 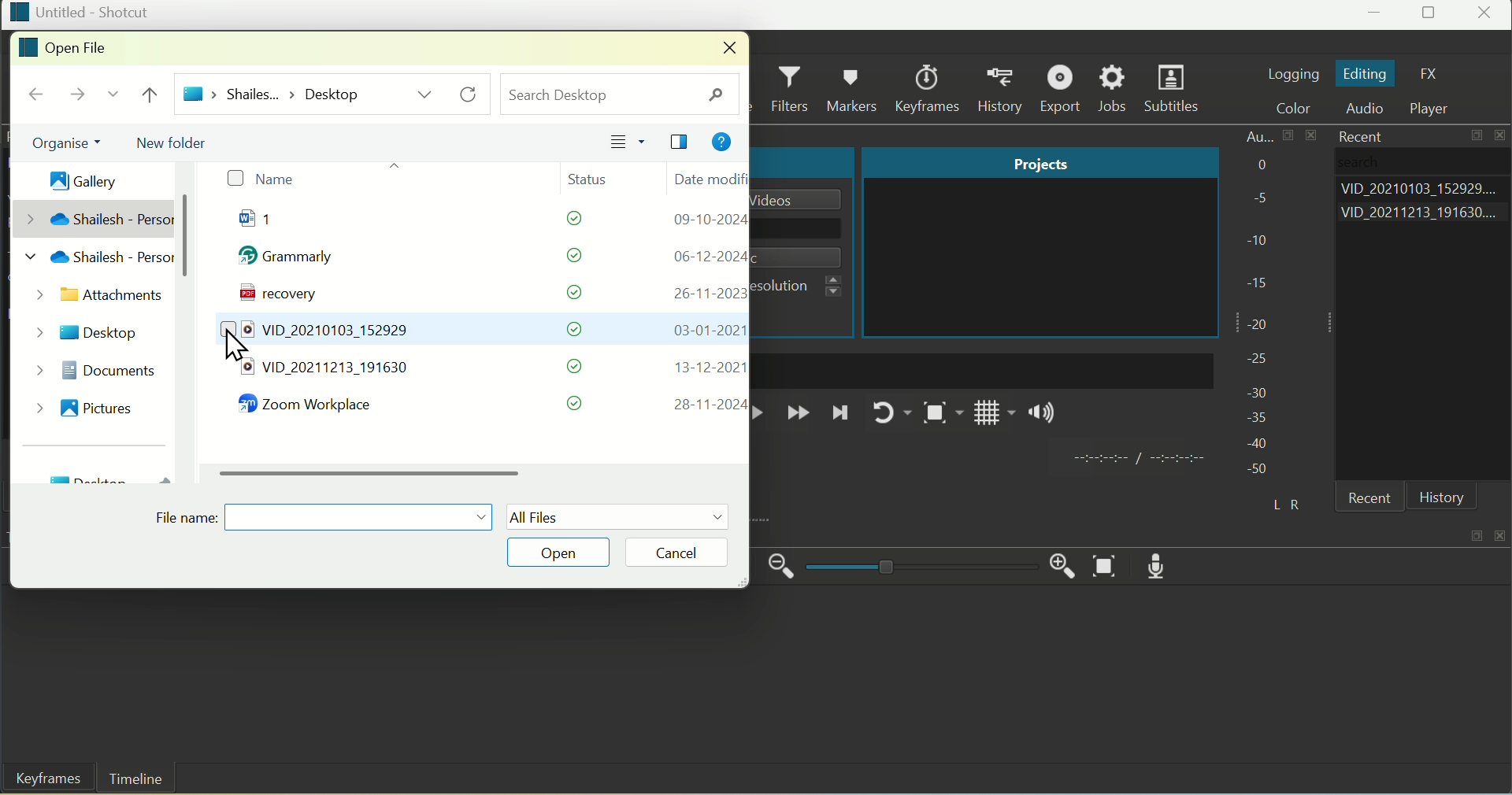 I want to click on Automatic means the resolutio, so click(x=804, y=287).